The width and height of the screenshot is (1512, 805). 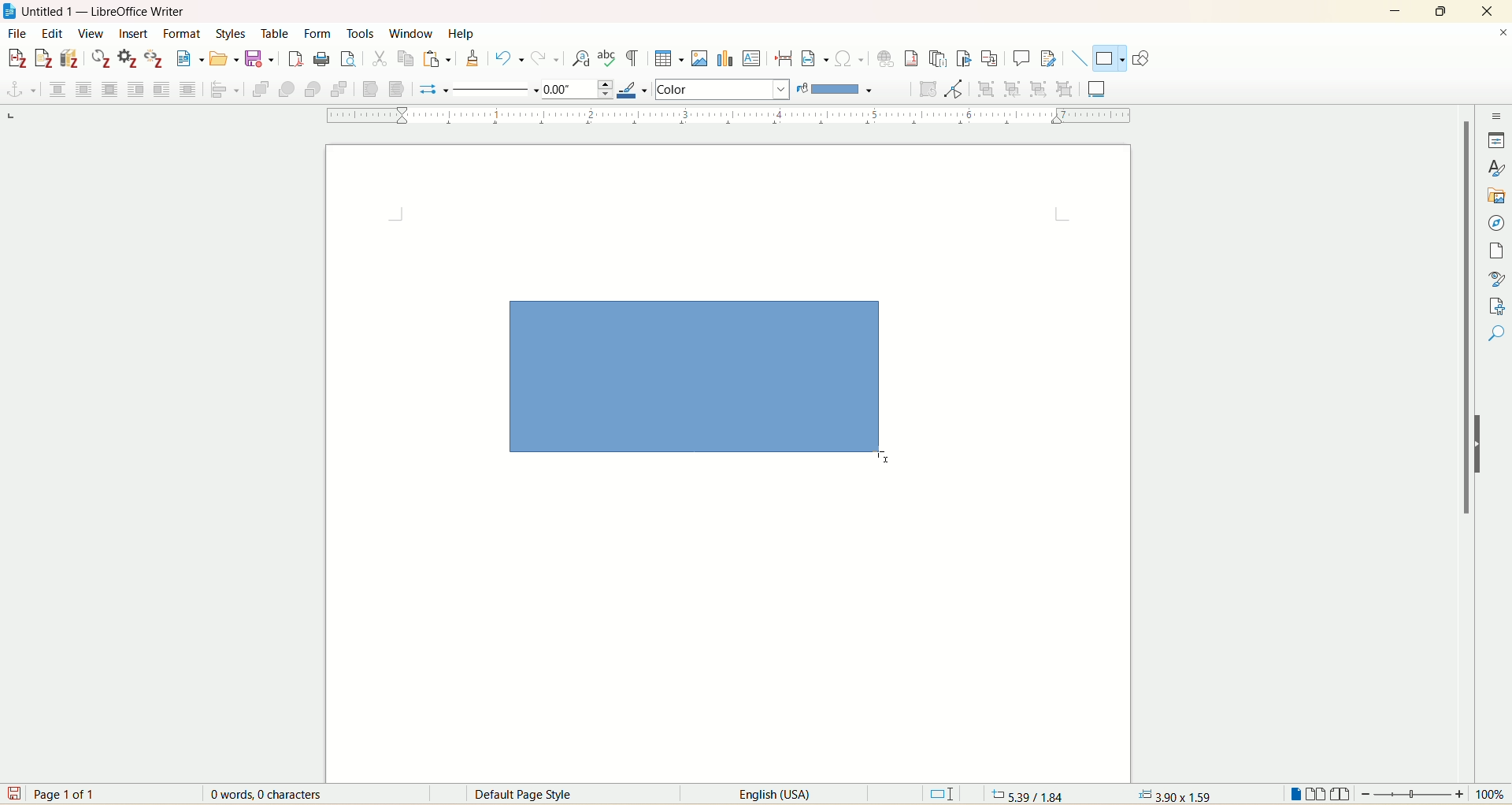 I want to click on line thickness, so click(x=580, y=88).